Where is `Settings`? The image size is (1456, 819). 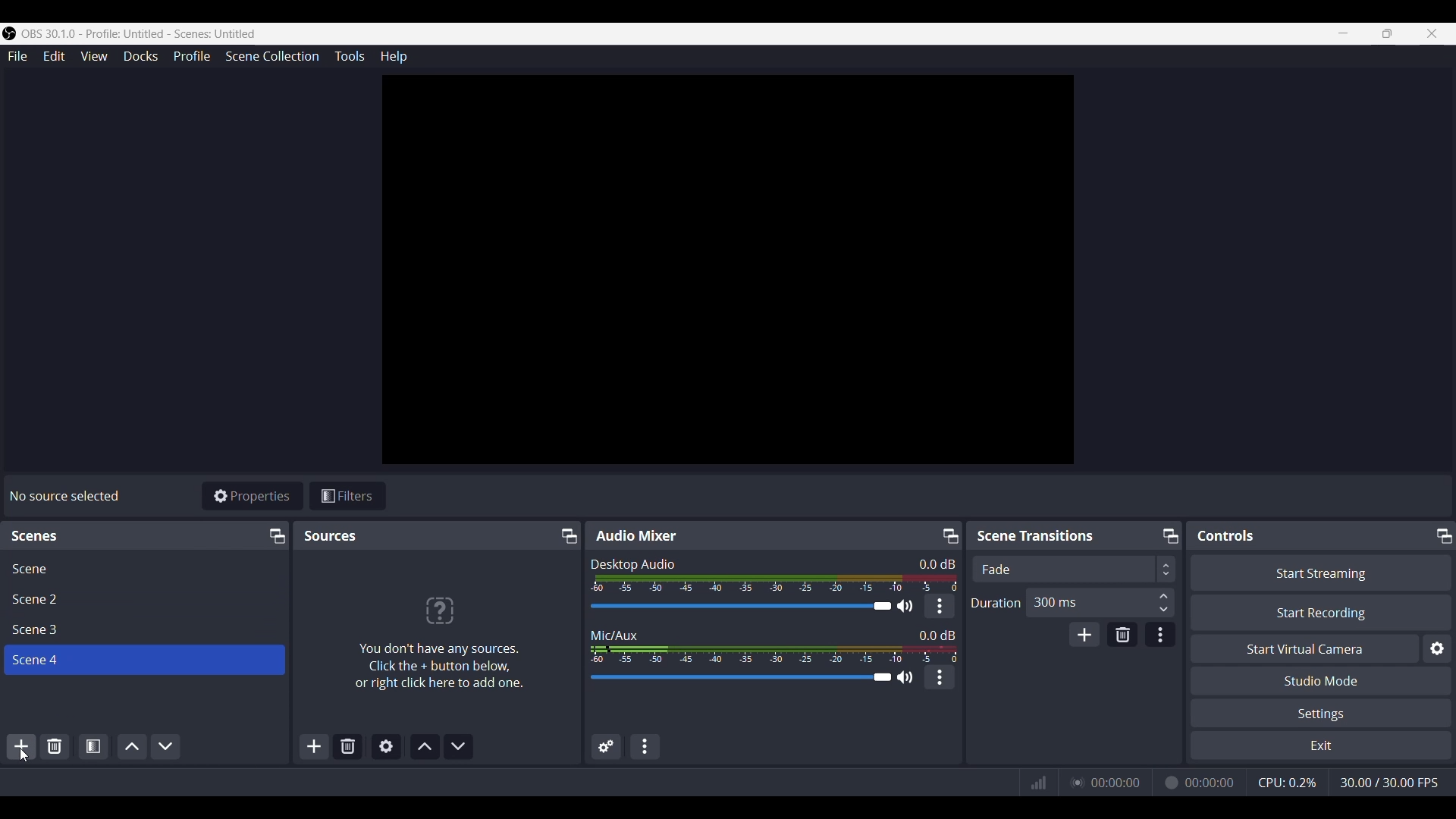
Settings is located at coordinates (1323, 713).